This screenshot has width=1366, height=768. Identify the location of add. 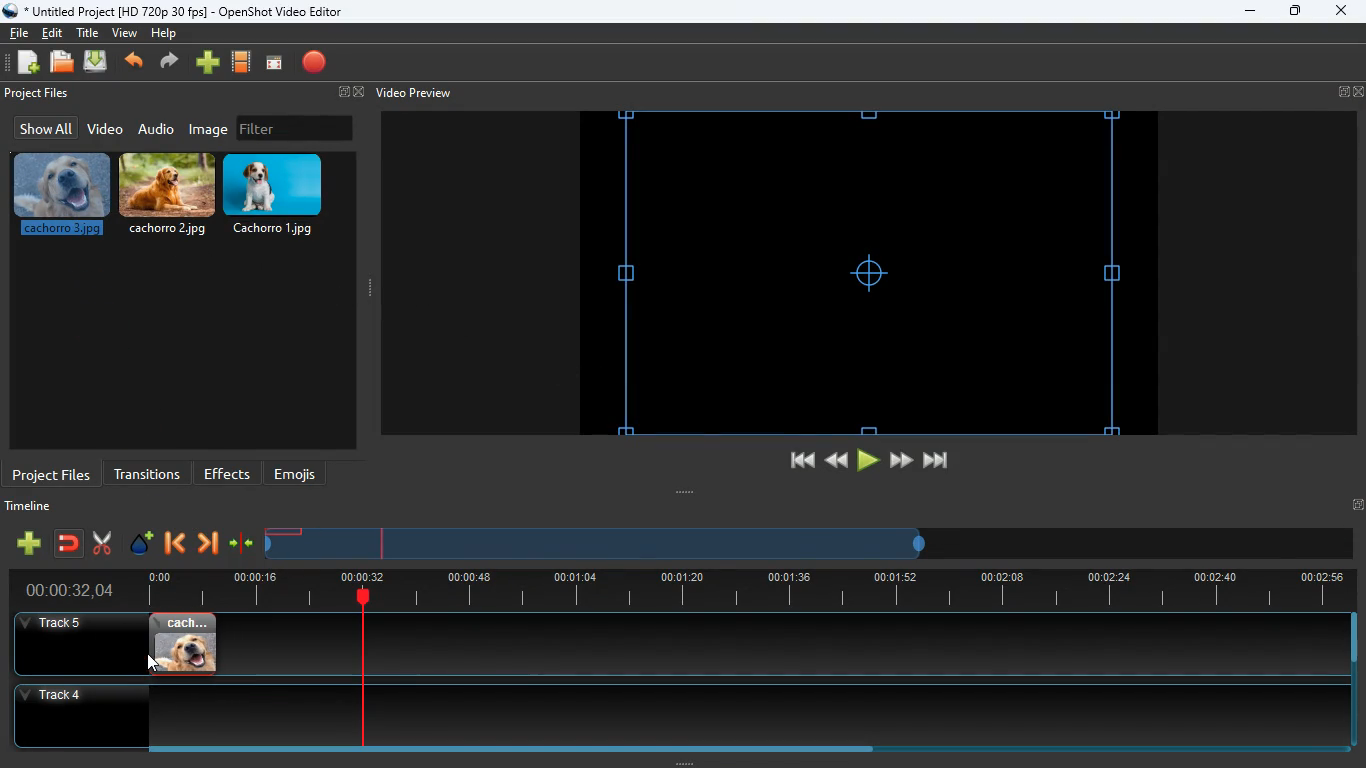
(28, 543).